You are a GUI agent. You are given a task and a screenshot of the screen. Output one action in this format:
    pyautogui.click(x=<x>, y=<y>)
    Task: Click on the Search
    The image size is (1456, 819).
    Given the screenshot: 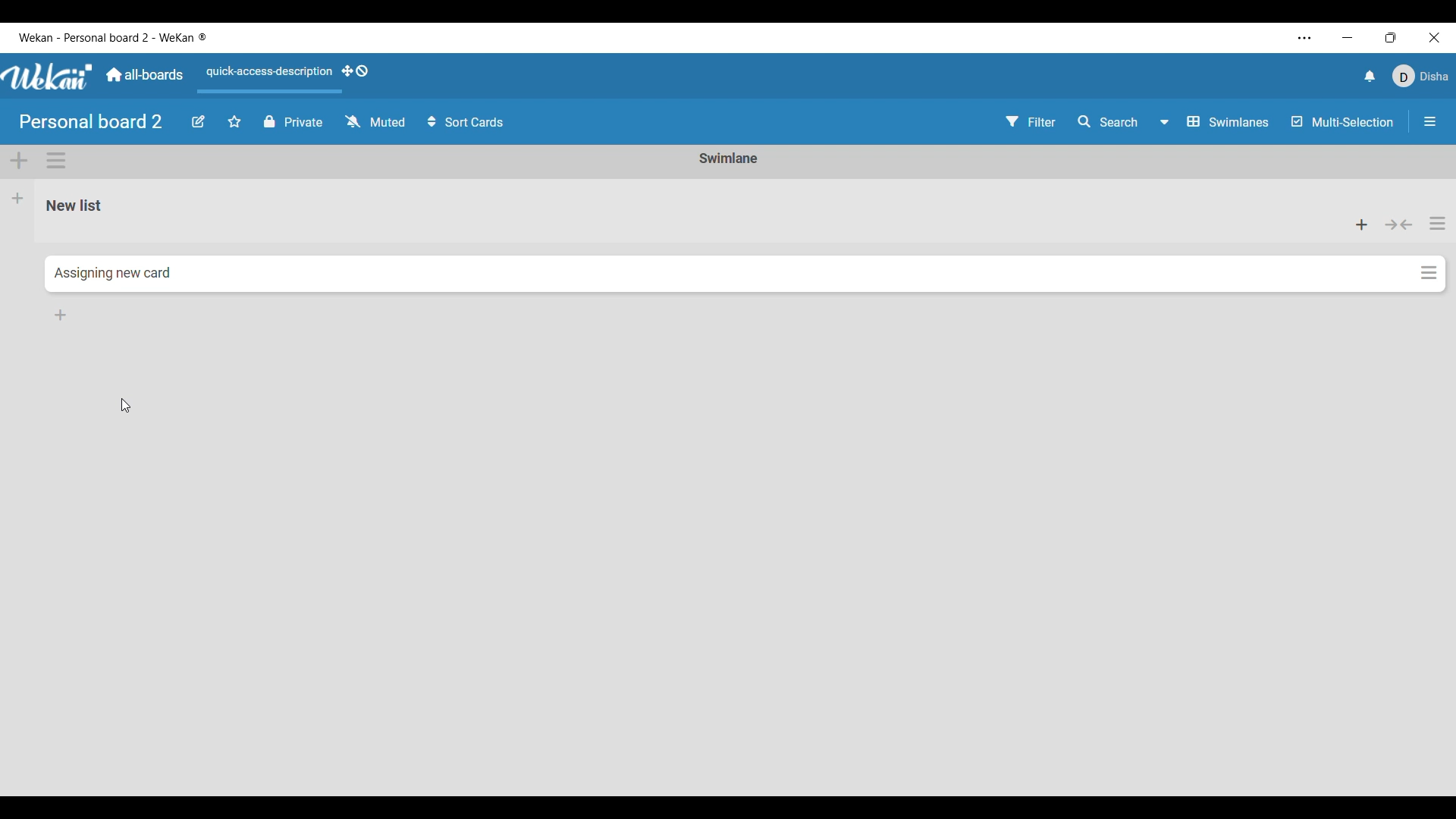 What is the action you would take?
    pyautogui.click(x=1109, y=121)
    